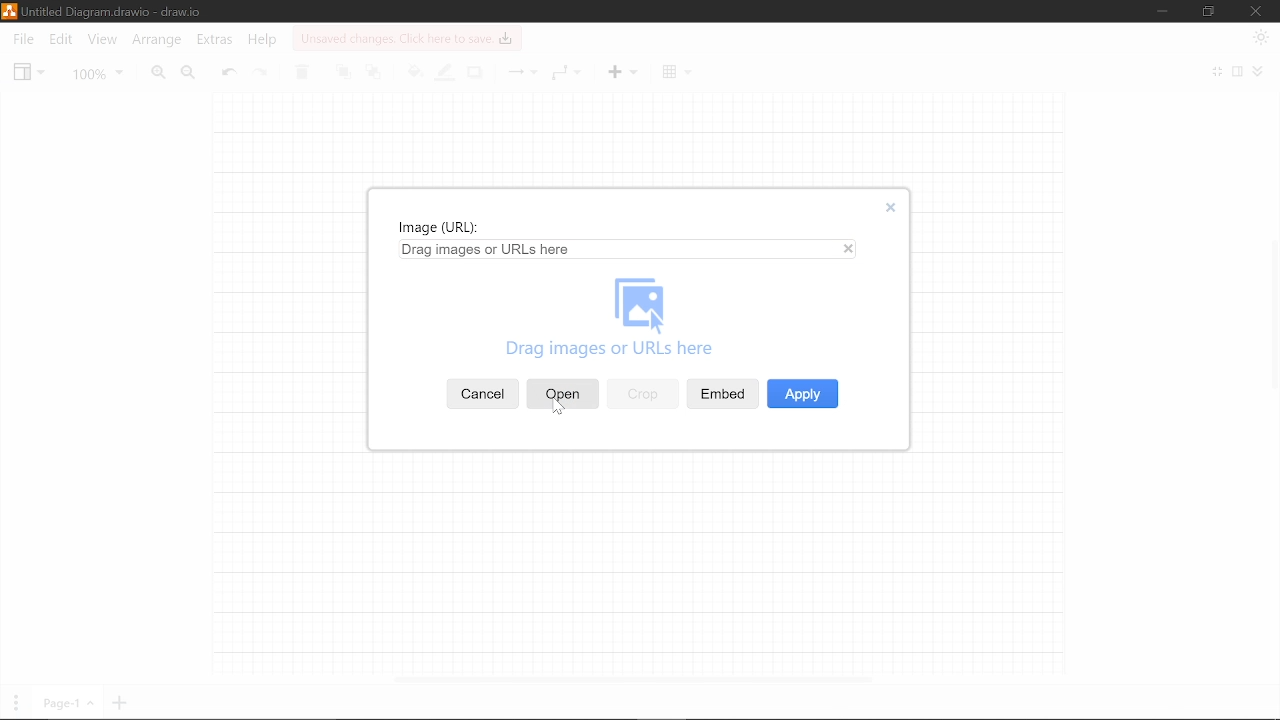 This screenshot has height=720, width=1280. What do you see at coordinates (1218, 73) in the screenshot?
I see `Fullscreen` at bounding box center [1218, 73].